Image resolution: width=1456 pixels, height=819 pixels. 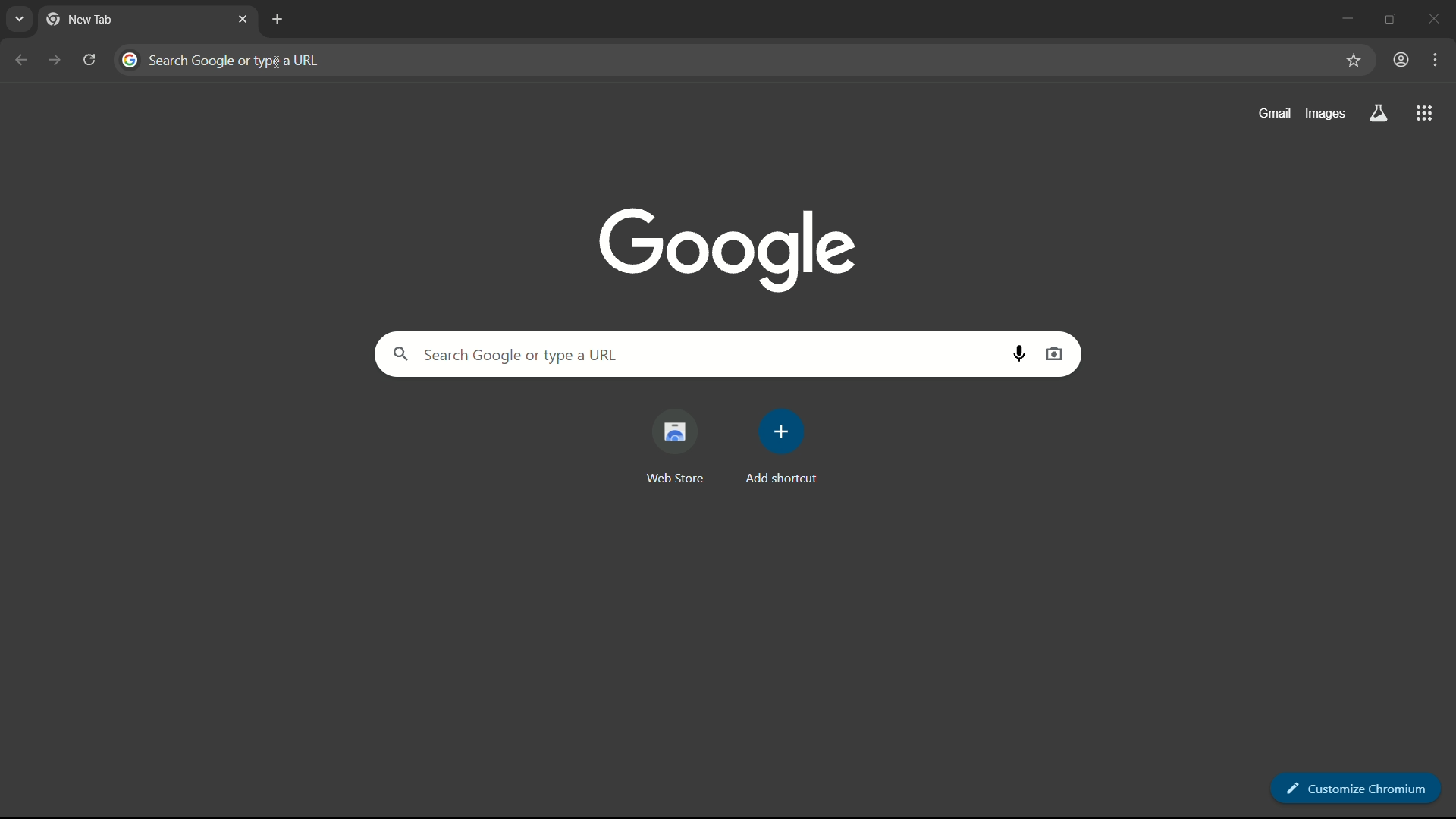 What do you see at coordinates (1276, 114) in the screenshot?
I see `gmail` at bounding box center [1276, 114].